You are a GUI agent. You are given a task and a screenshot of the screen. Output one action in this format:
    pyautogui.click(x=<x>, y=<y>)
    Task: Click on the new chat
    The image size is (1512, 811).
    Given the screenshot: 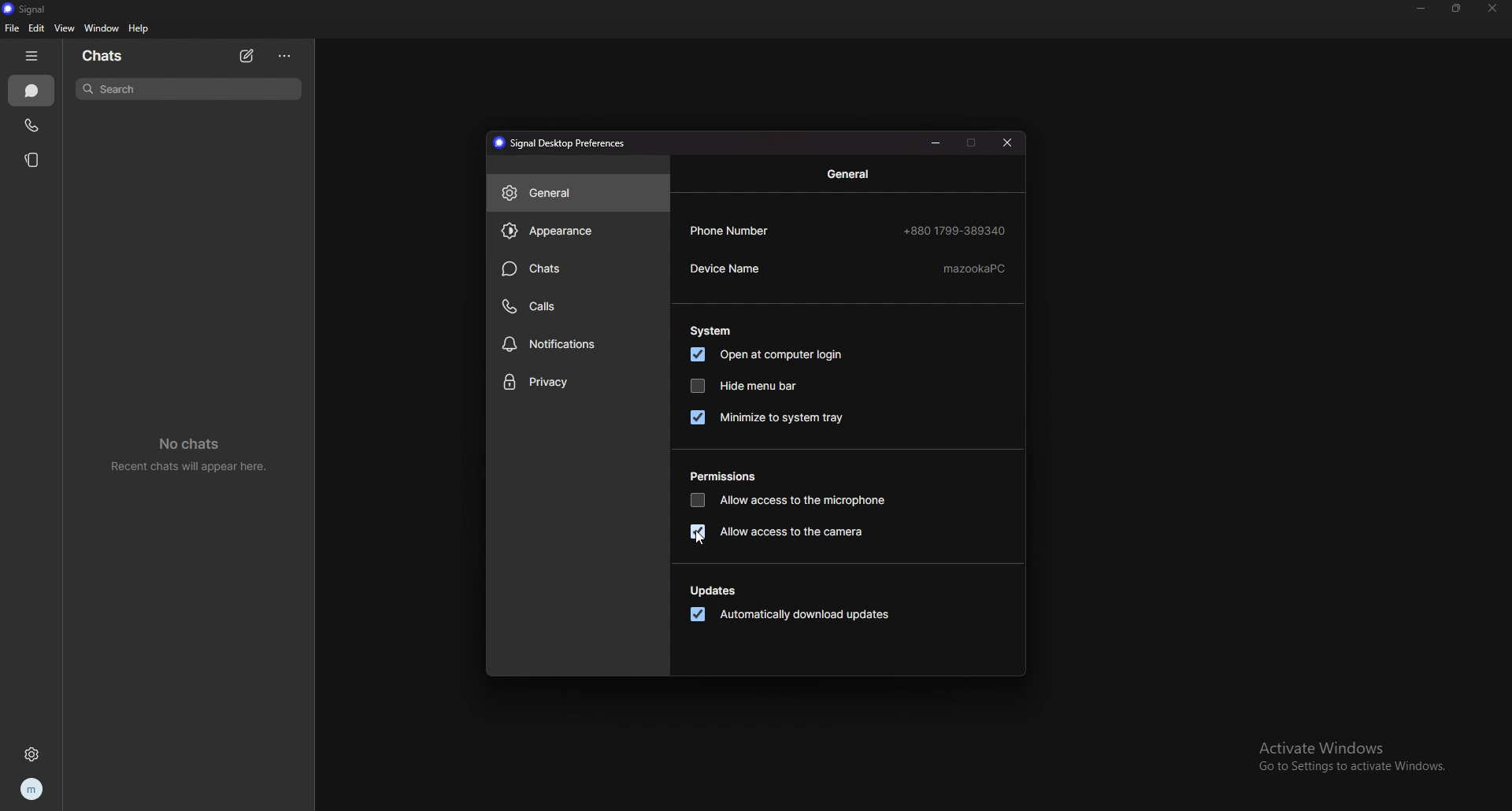 What is the action you would take?
    pyautogui.click(x=249, y=56)
    